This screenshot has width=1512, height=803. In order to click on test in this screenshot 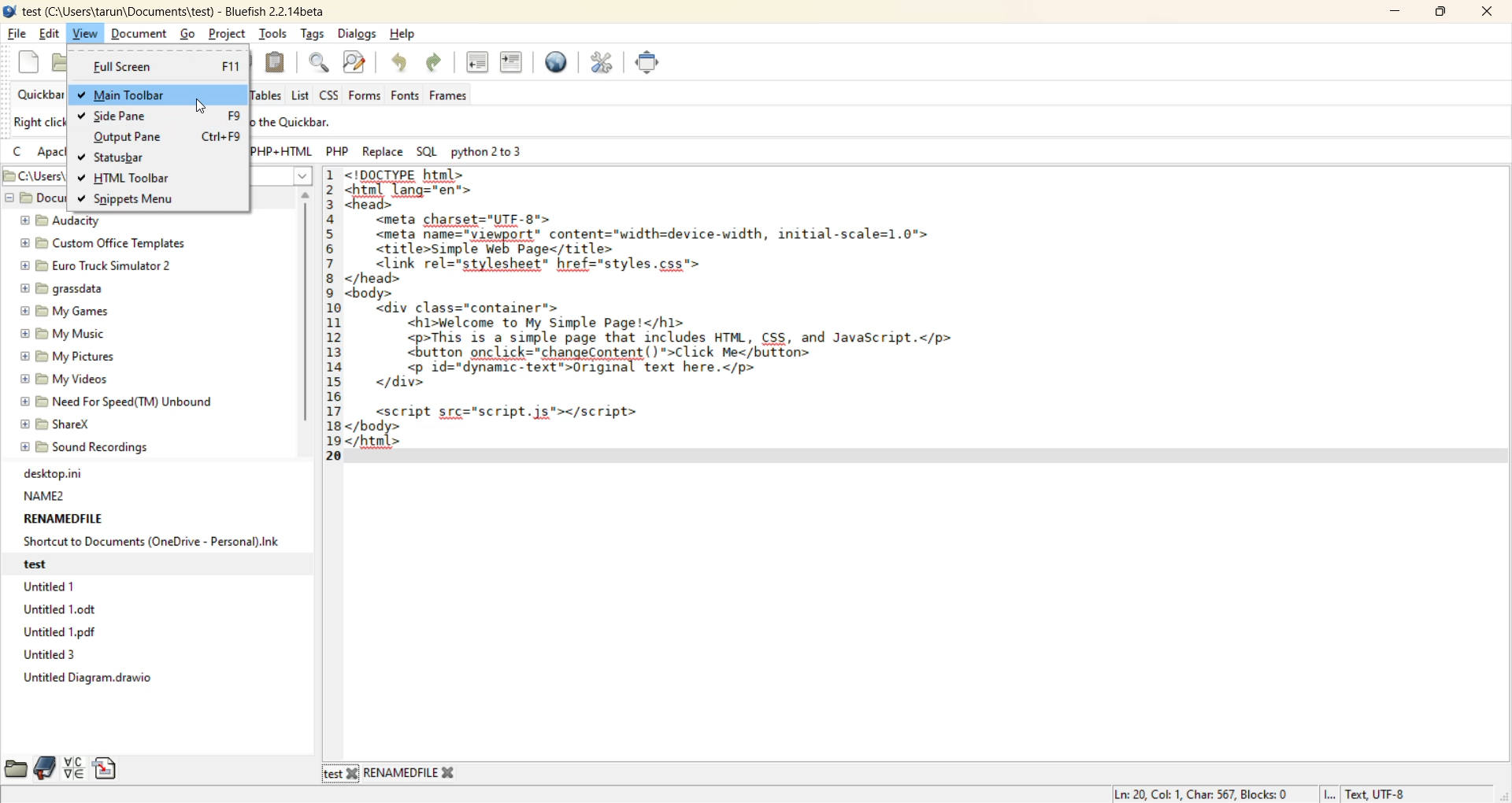, I will do `click(46, 564)`.